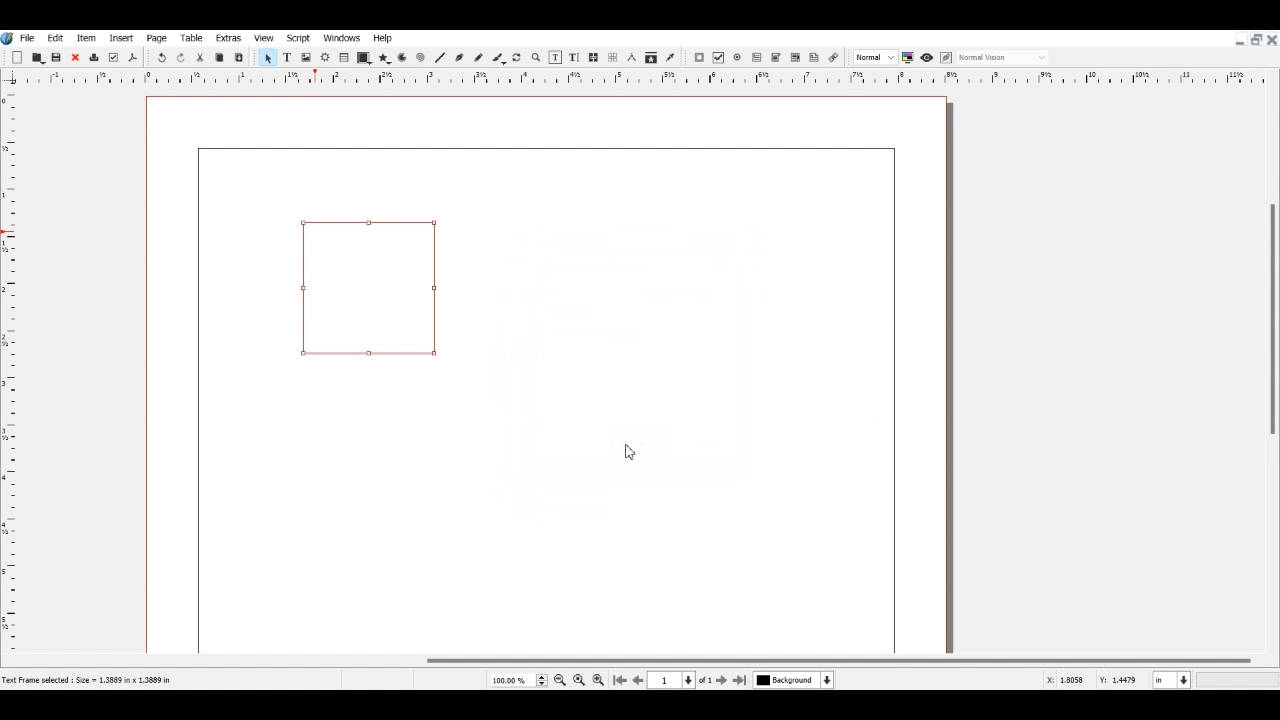 Image resolution: width=1280 pixels, height=720 pixels. What do you see at coordinates (161, 58) in the screenshot?
I see `Undo` at bounding box center [161, 58].